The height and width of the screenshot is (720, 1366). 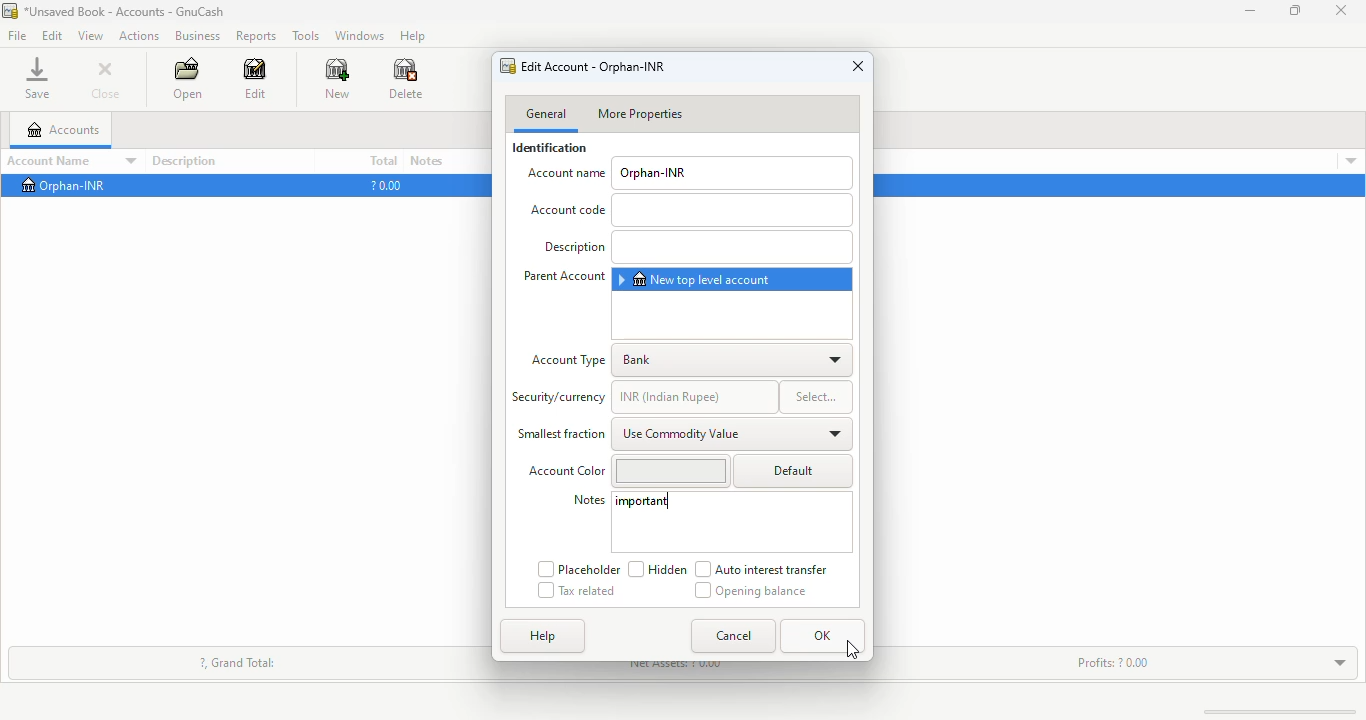 What do you see at coordinates (562, 211) in the screenshot?
I see `Account code` at bounding box center [562, 211].